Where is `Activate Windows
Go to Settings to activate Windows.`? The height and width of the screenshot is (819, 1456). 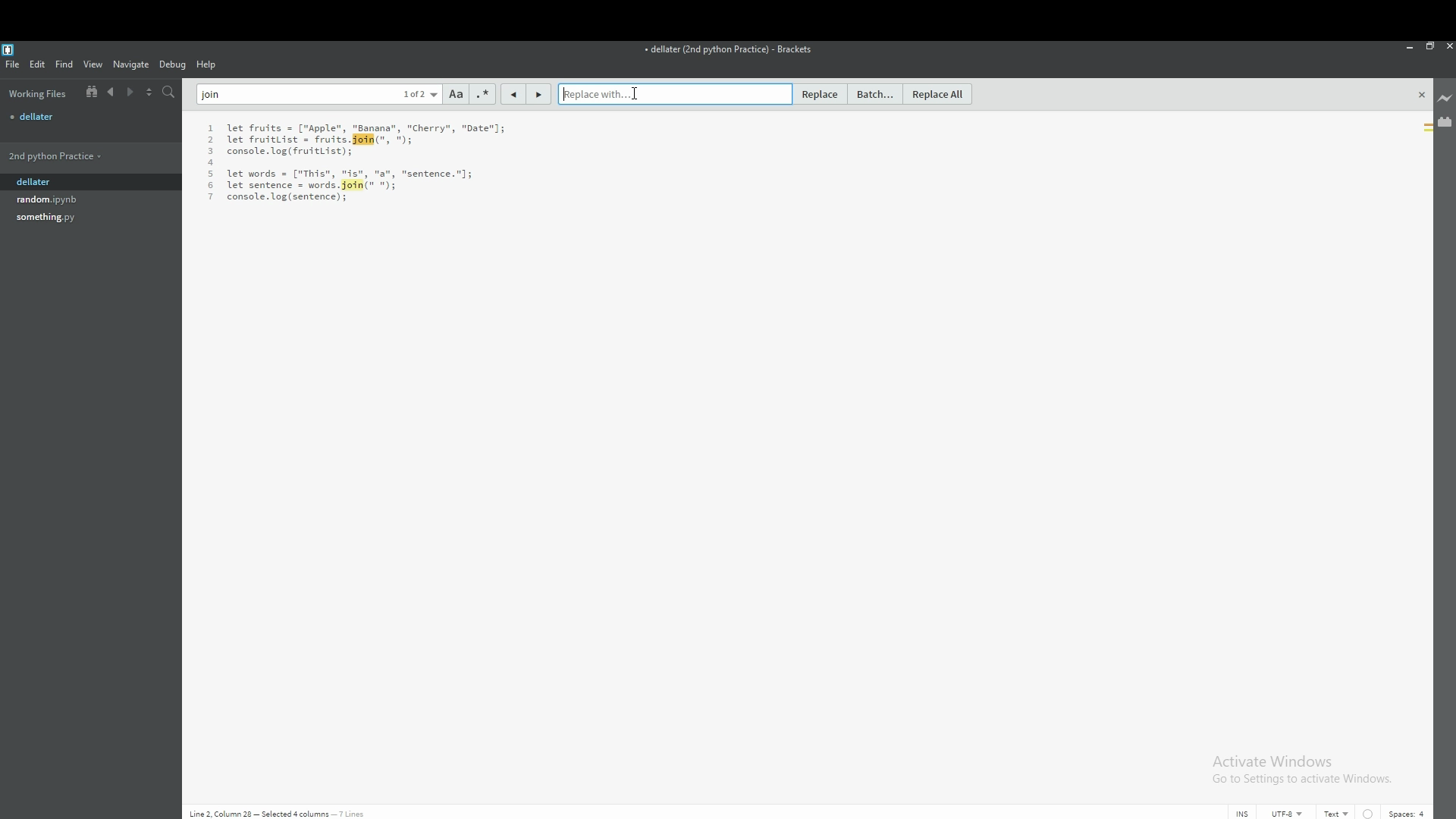 Activate Windows
Go to Settings to activate Windows. is located at coordinates (1304, 770).